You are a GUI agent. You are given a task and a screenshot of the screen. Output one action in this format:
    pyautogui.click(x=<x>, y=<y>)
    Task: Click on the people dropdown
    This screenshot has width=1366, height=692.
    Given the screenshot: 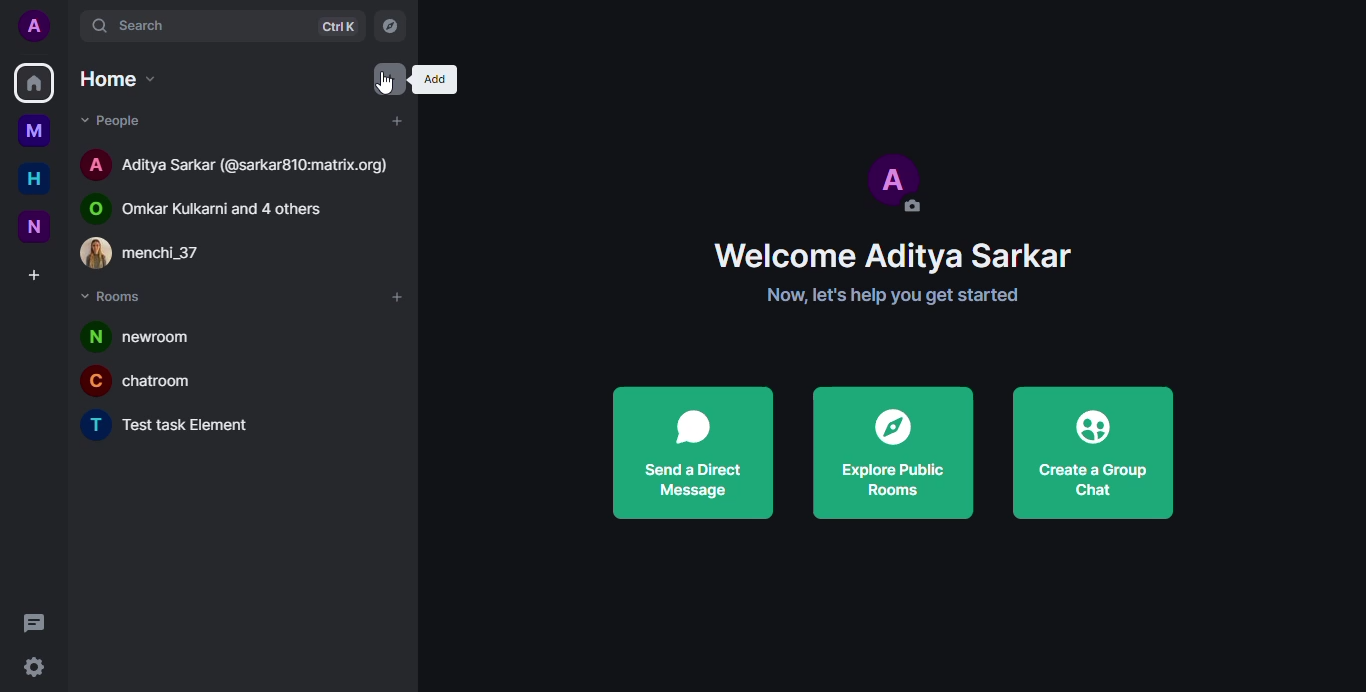 What is the action you would take?
    pyautogui.click(x=121, y=120)
    